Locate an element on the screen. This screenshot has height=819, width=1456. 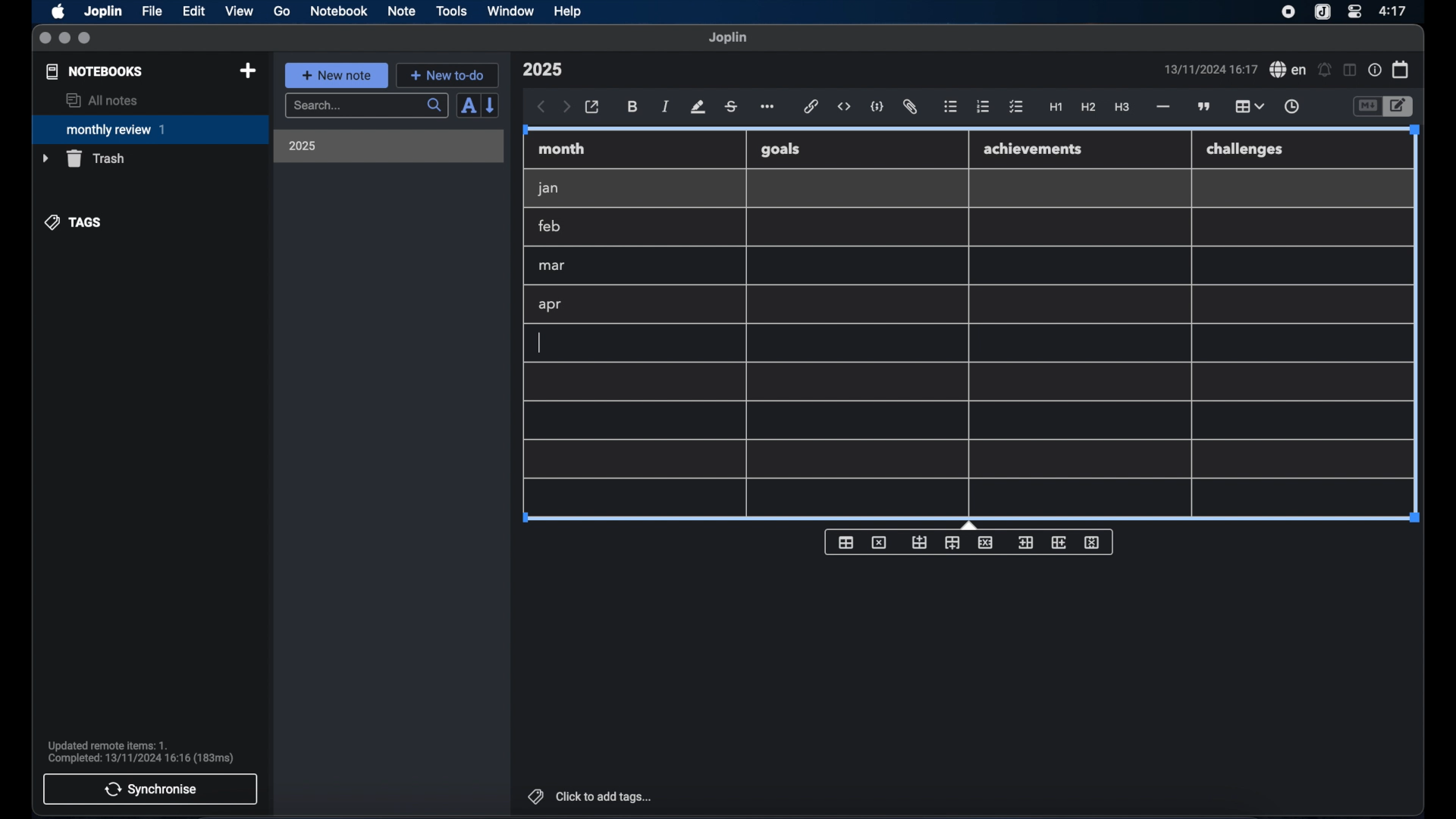
code is located at coordinates (877, 108).